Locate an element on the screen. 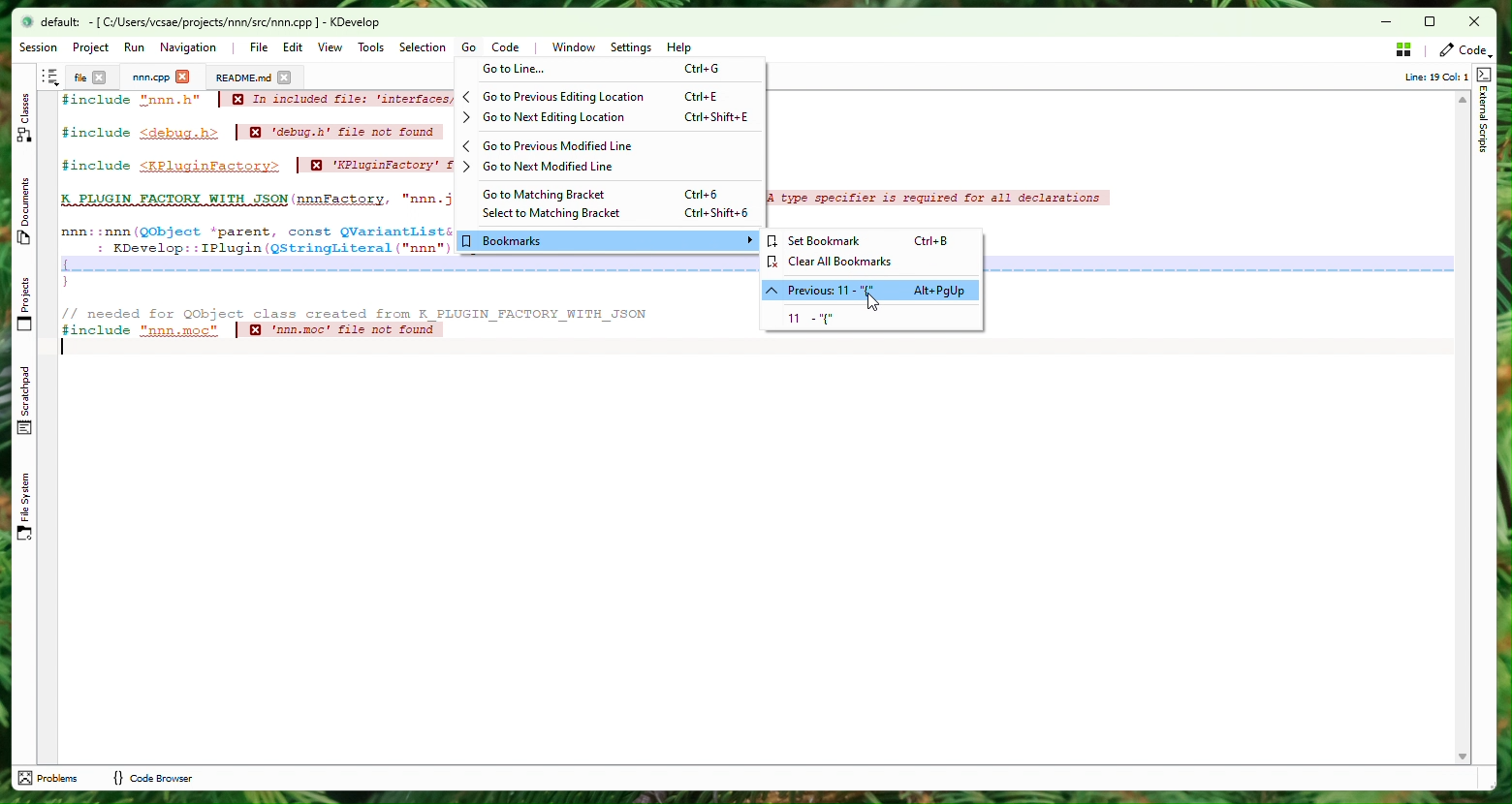 The width and height of the screenshot is (1512, 804). Code is located at coordinates (1462, 50).